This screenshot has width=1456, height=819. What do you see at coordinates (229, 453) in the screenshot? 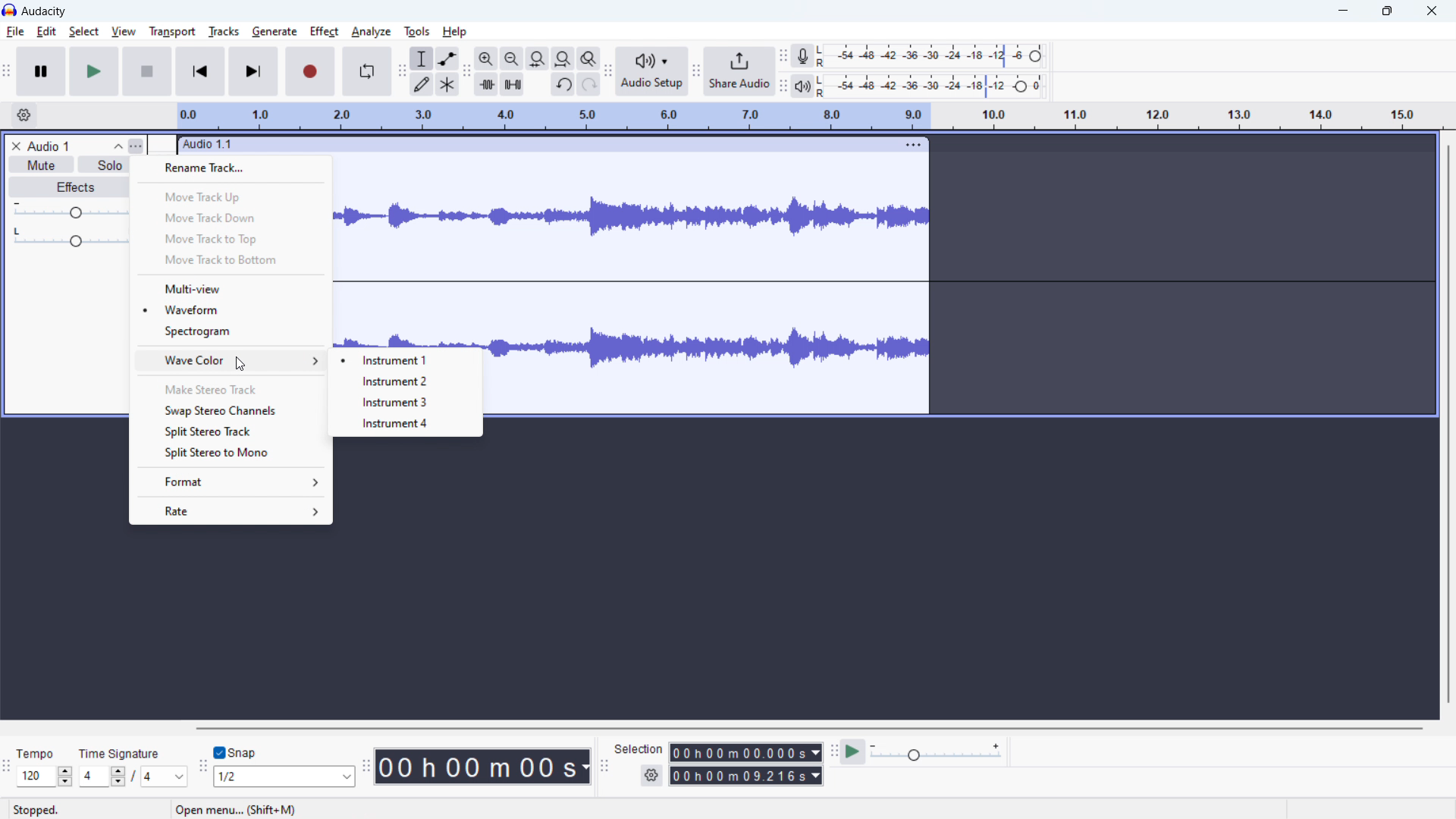
I see `split stereo to mono` at bounding box center [229, 453].